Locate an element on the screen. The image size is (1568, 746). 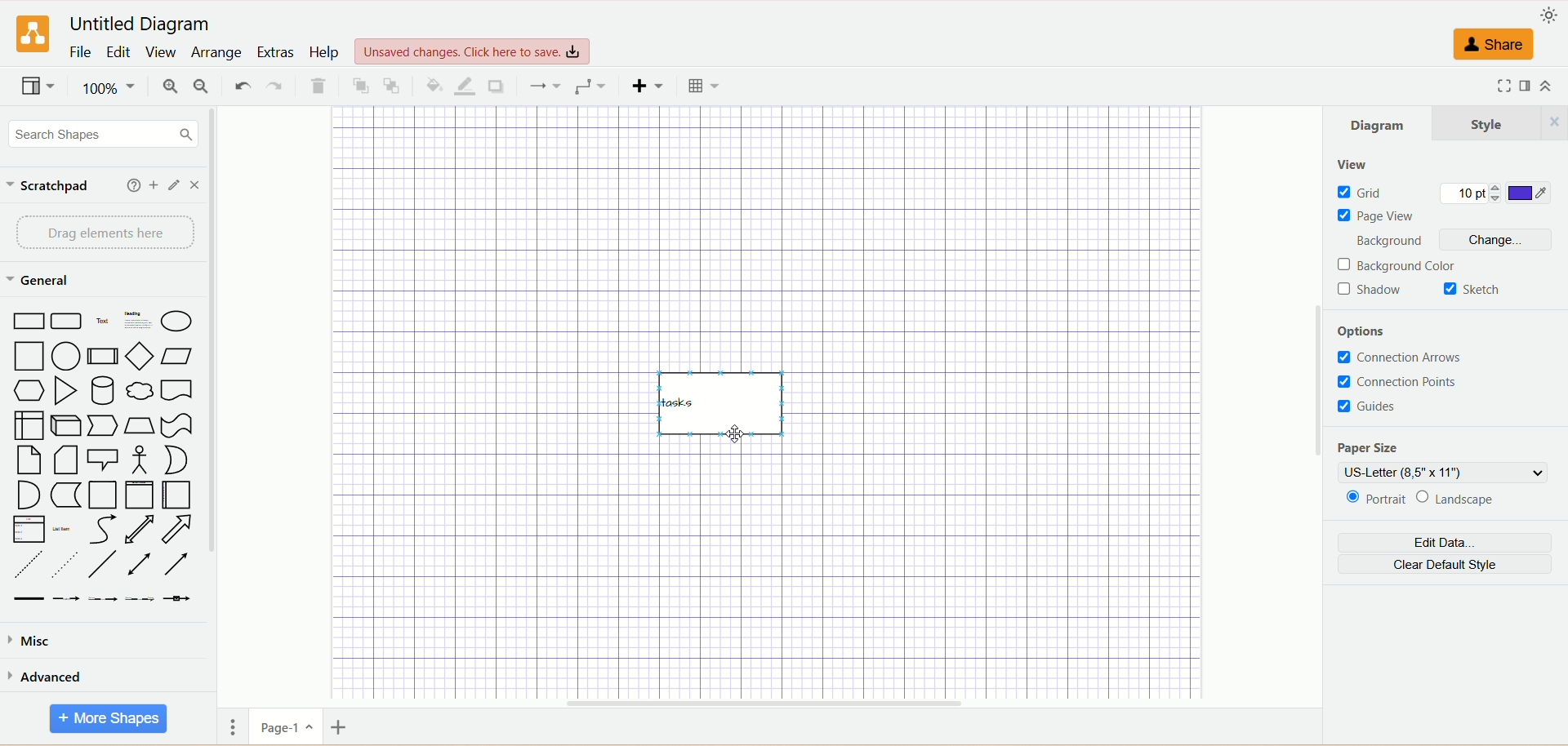
waypoint is located at coordinates (590, 87).